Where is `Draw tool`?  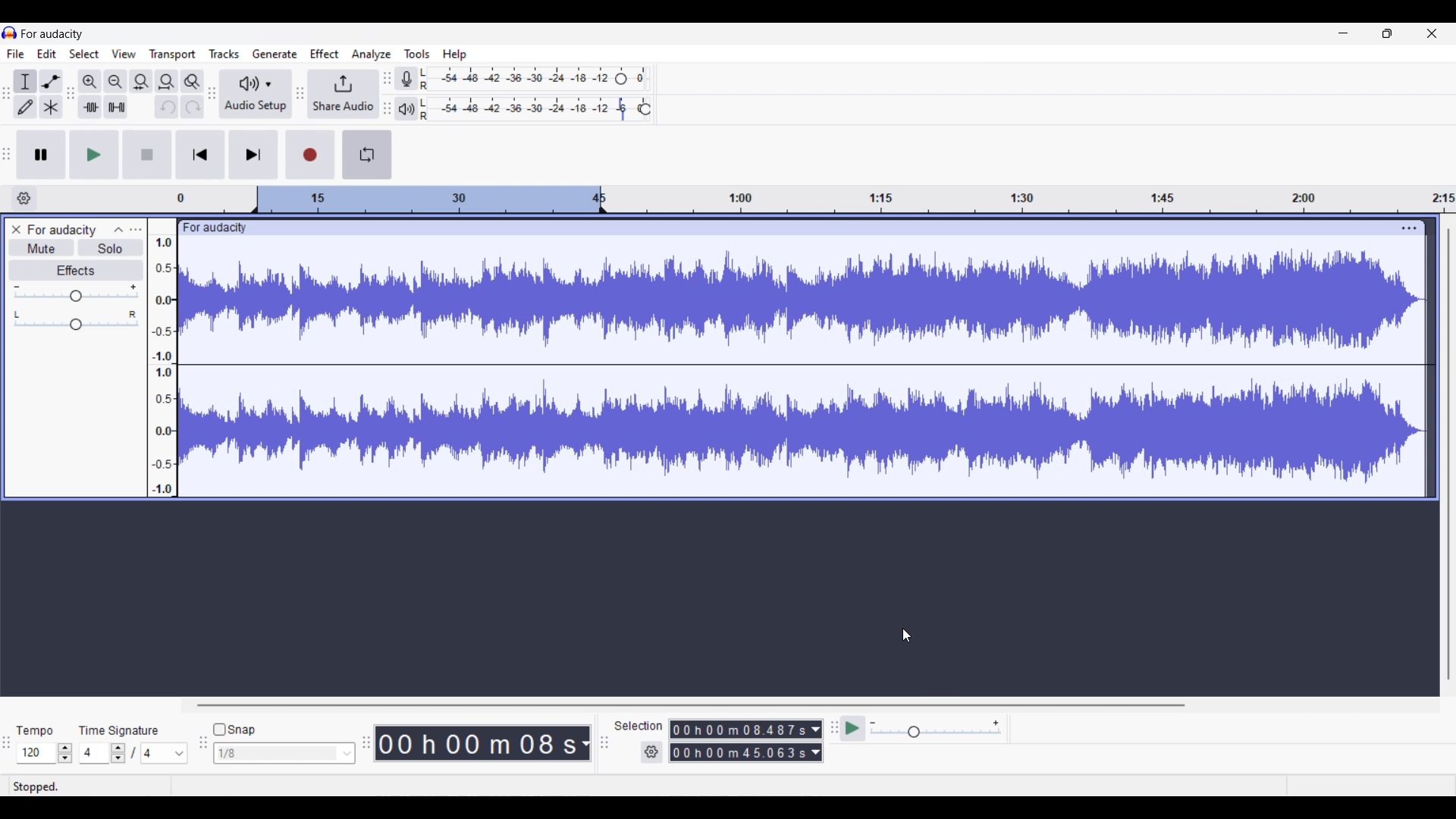
Draw tool is located at coordinates (25, 107).